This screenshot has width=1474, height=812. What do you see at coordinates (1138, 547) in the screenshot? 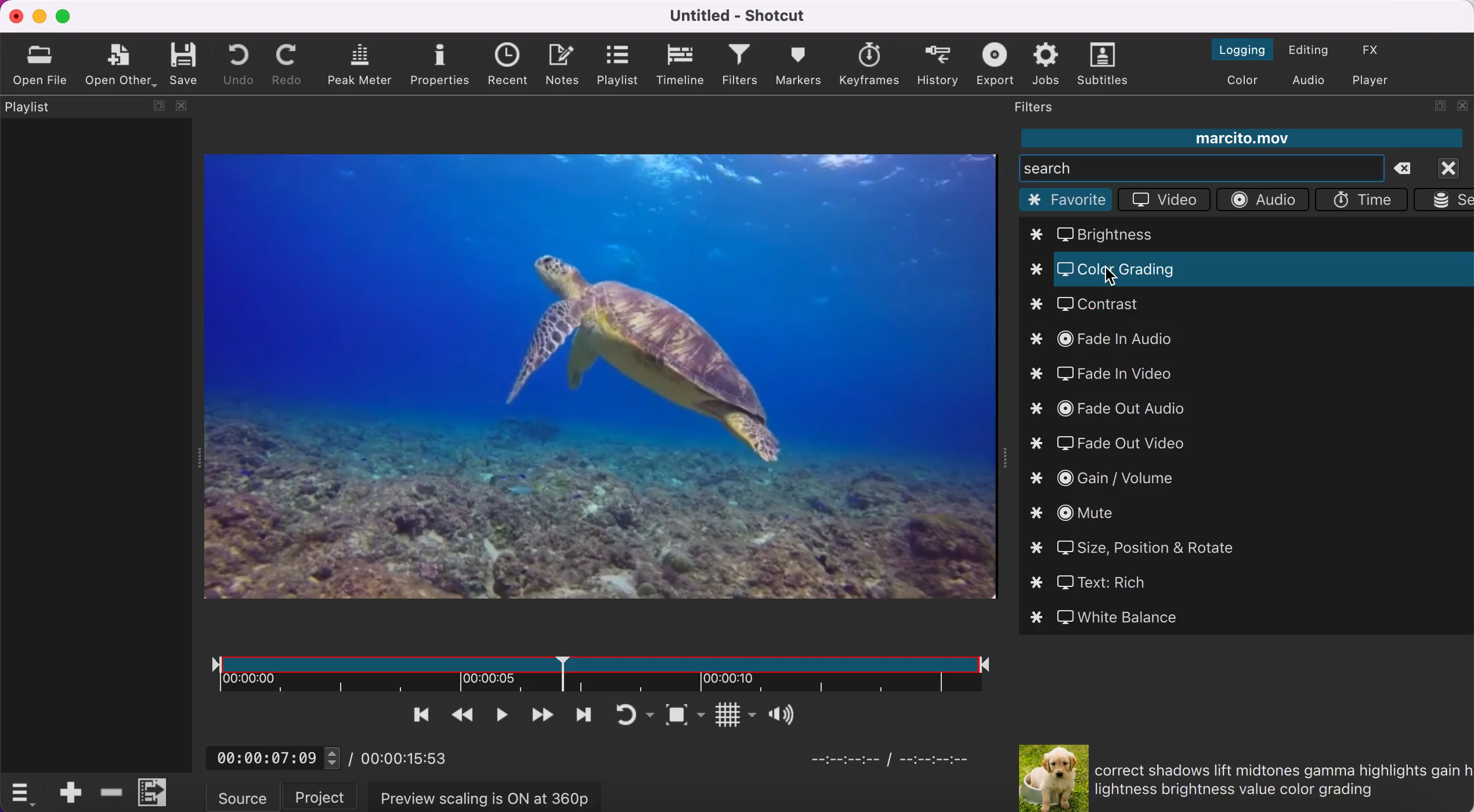
I see `size, position and rotate` at bounding box center [1138, 547].